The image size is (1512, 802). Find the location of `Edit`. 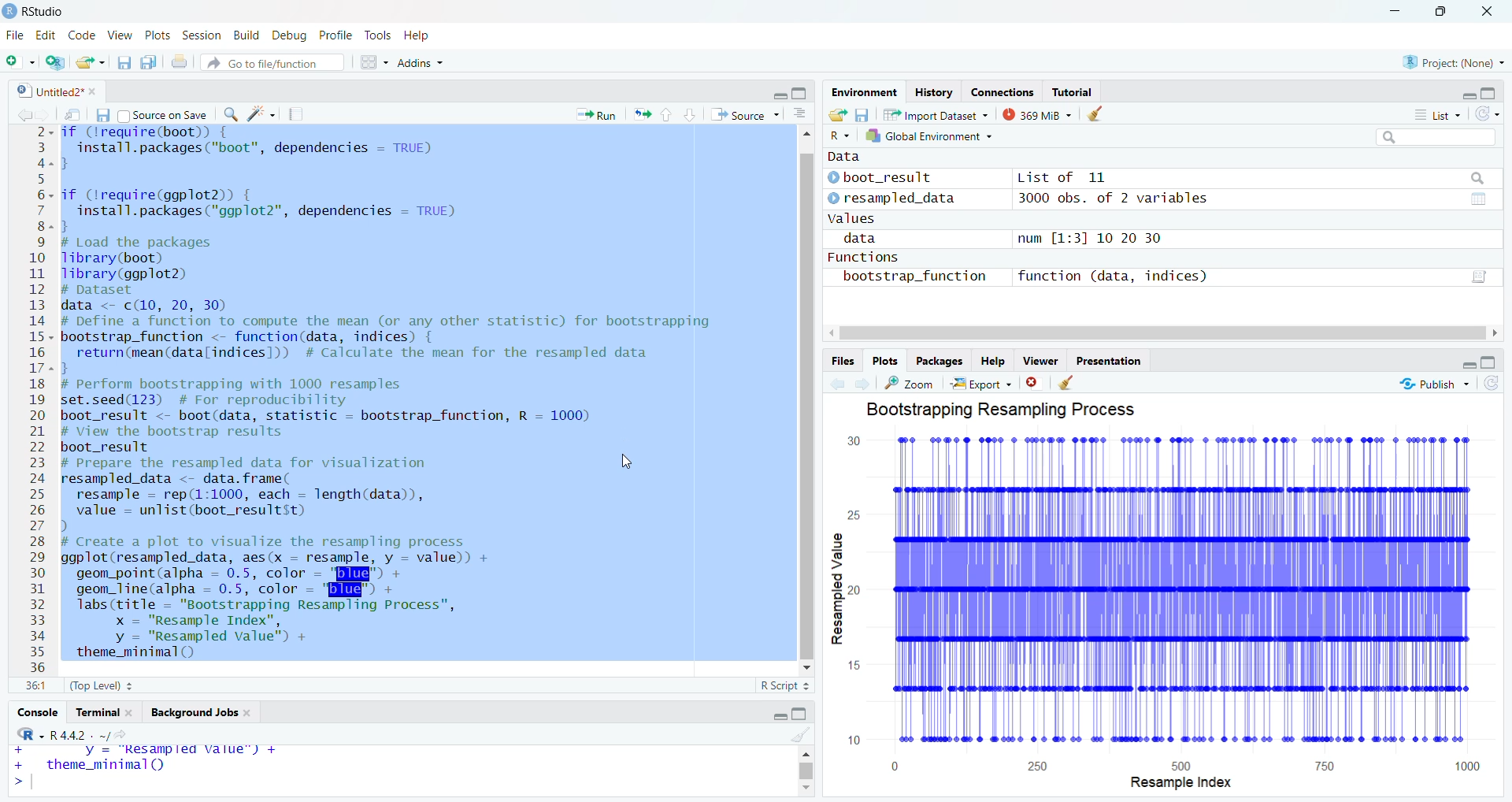

Edit is located at coordinates (45, 35).